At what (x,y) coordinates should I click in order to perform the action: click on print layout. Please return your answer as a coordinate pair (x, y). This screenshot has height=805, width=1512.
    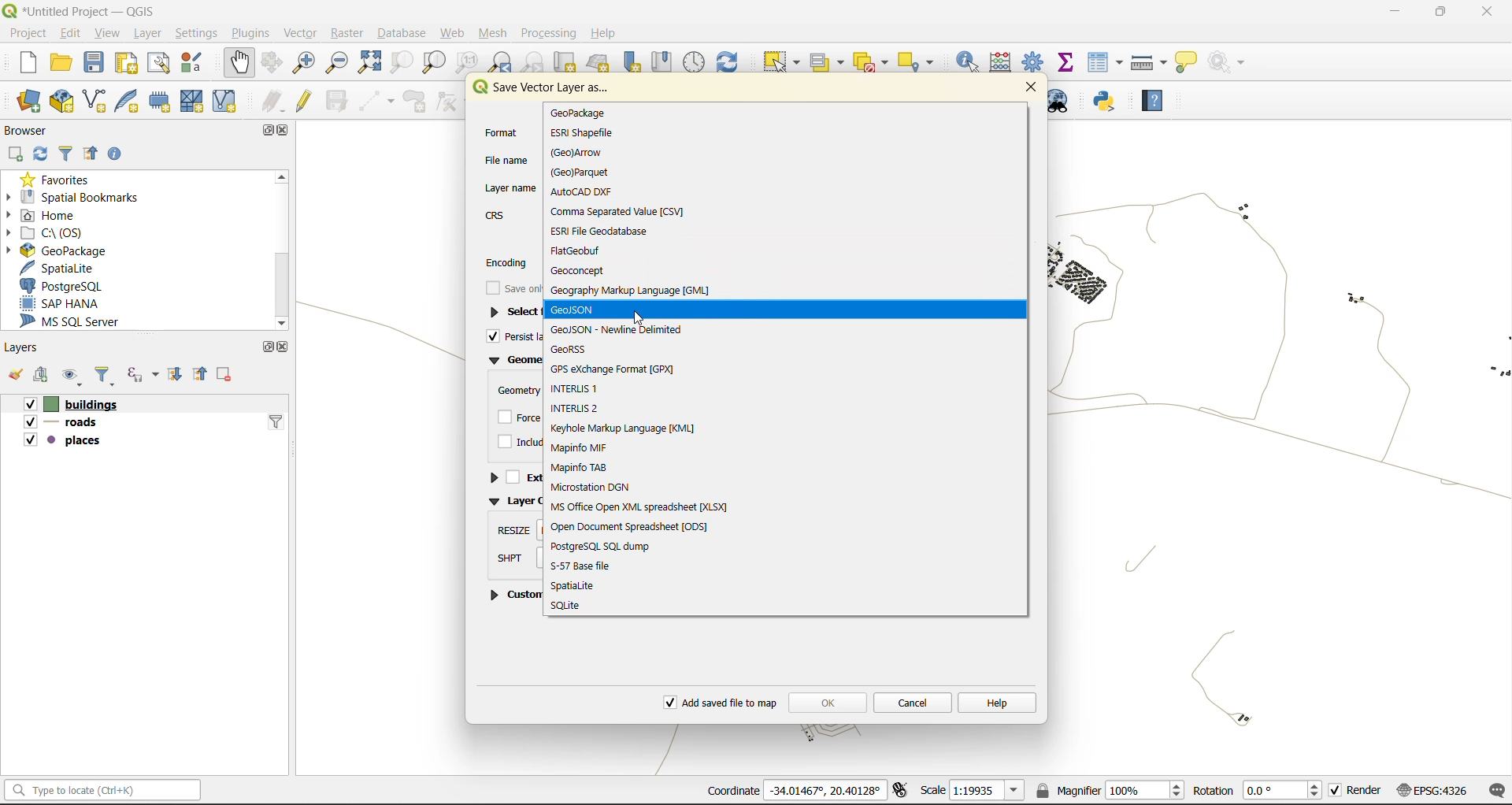
    Looking at the image, I should click on (128, 64).